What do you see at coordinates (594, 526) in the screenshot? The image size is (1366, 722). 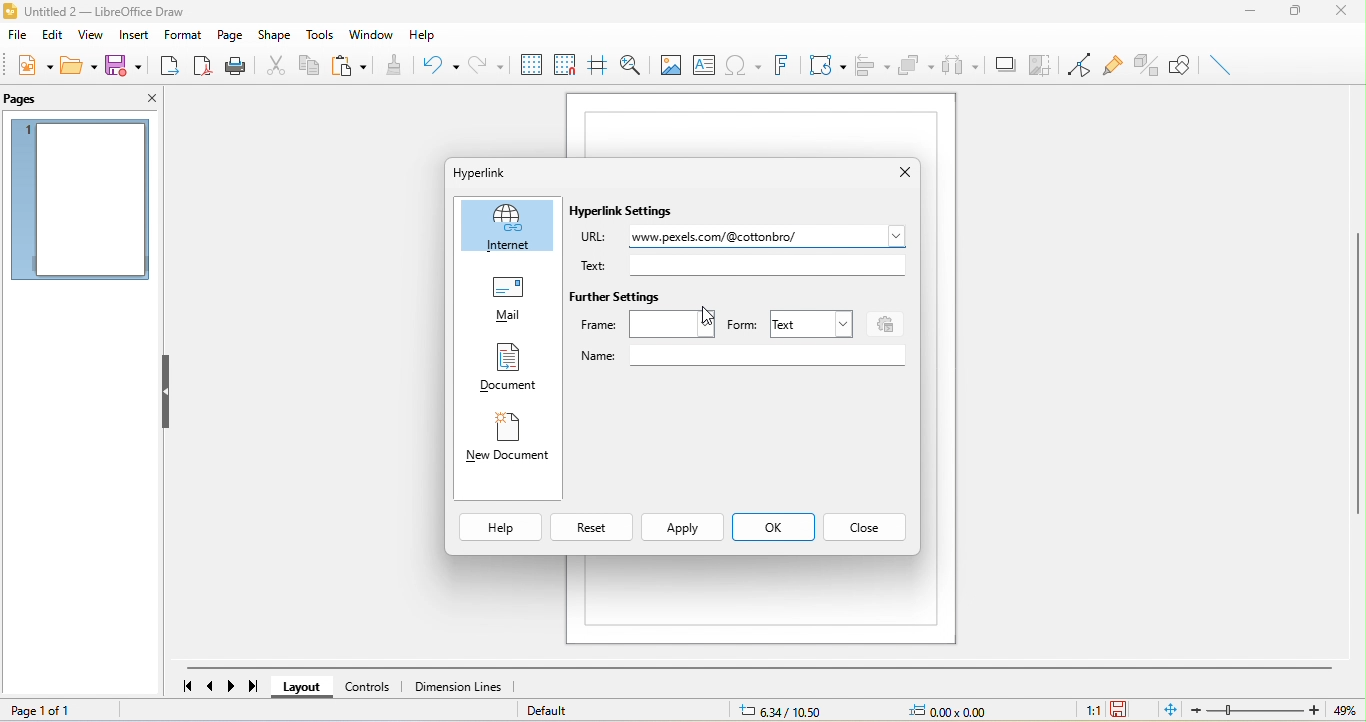 I see `reset` at bounding box center [594, 526].